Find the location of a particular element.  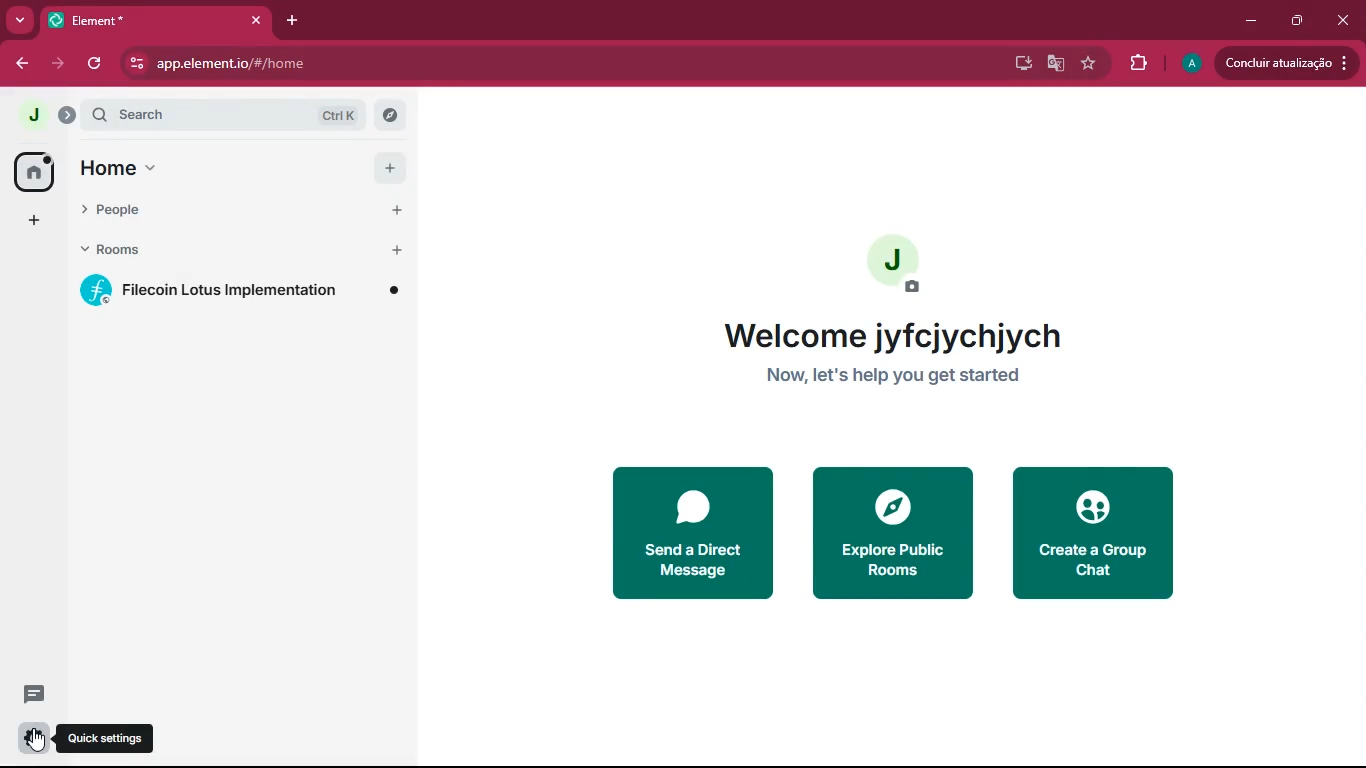

settings is located at coordinates (33, 737).